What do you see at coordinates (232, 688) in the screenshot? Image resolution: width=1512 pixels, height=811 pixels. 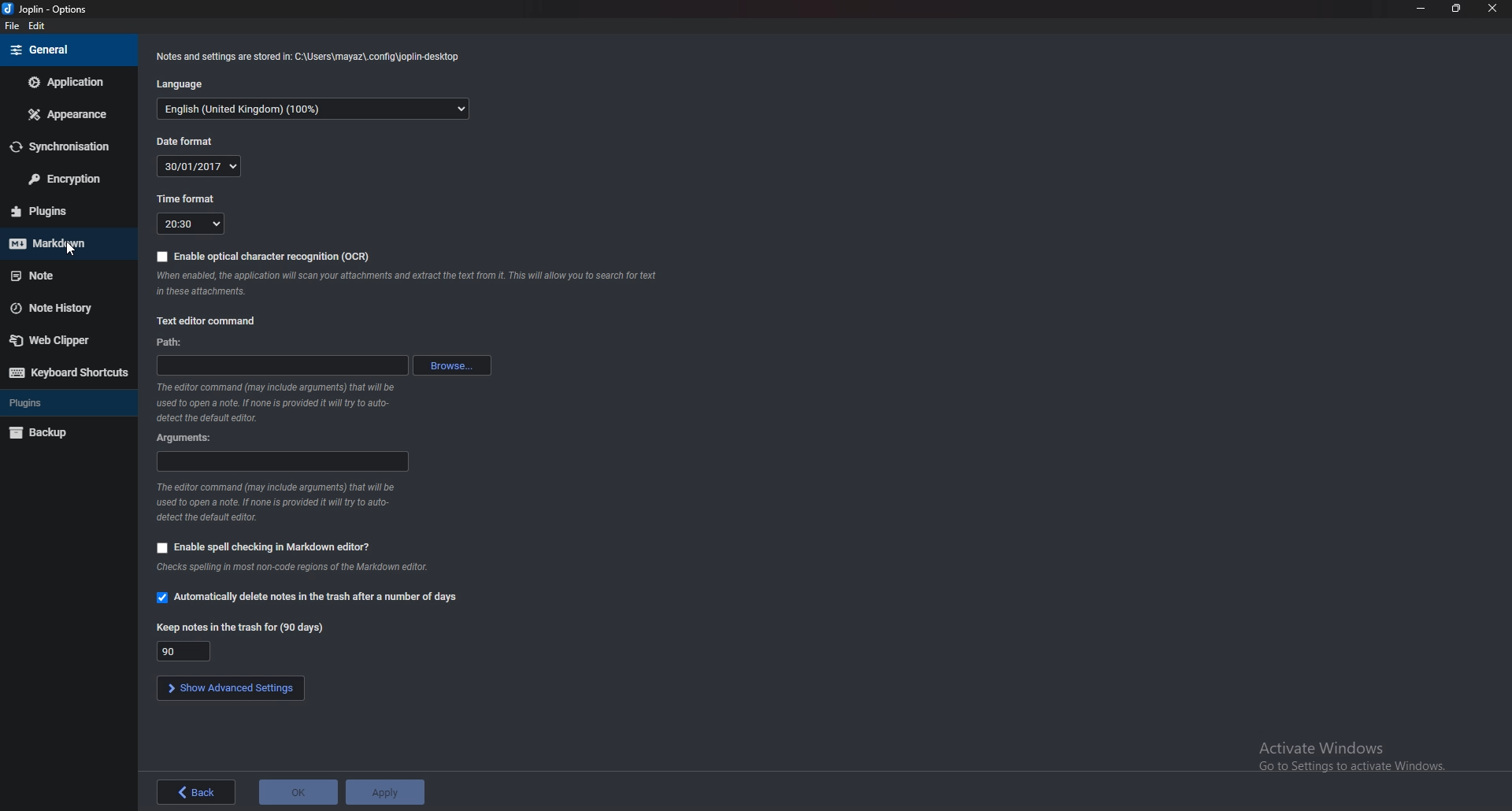 I see `Show advanced settings` at bounding box center [232, 688].